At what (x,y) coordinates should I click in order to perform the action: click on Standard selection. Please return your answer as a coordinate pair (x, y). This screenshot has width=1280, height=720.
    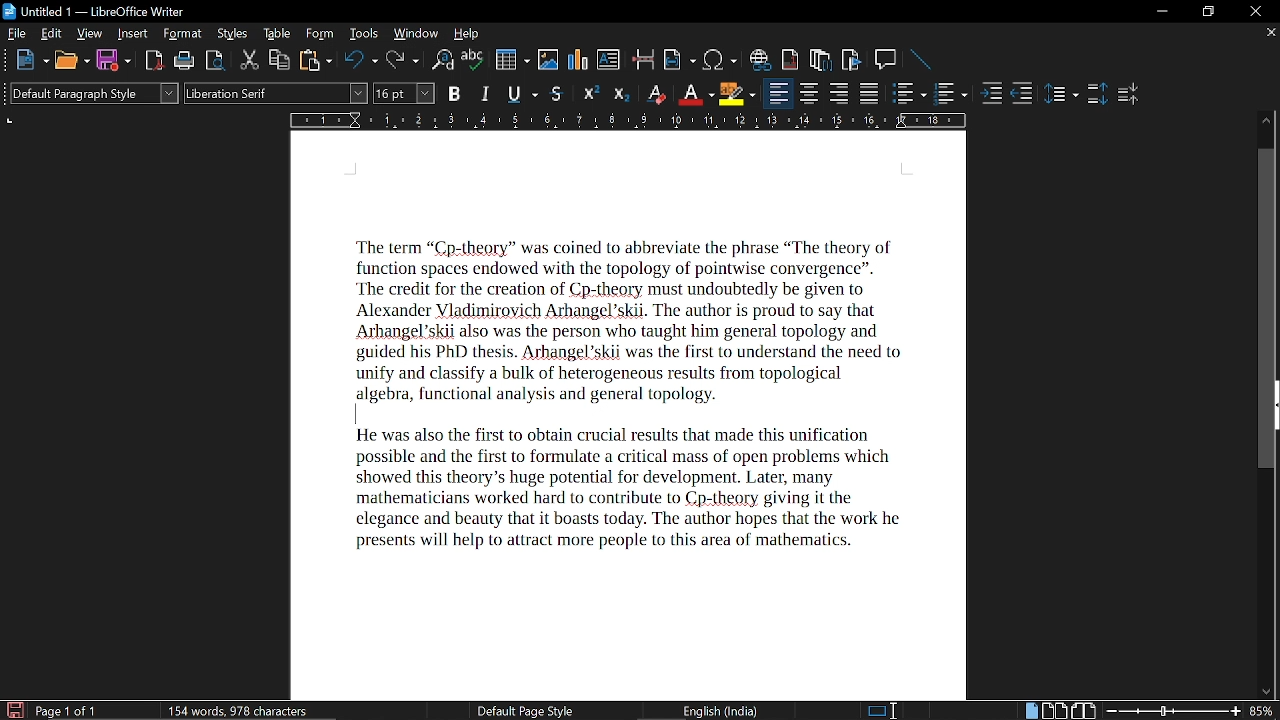
    Looking at the image, I should click on (883, 711).